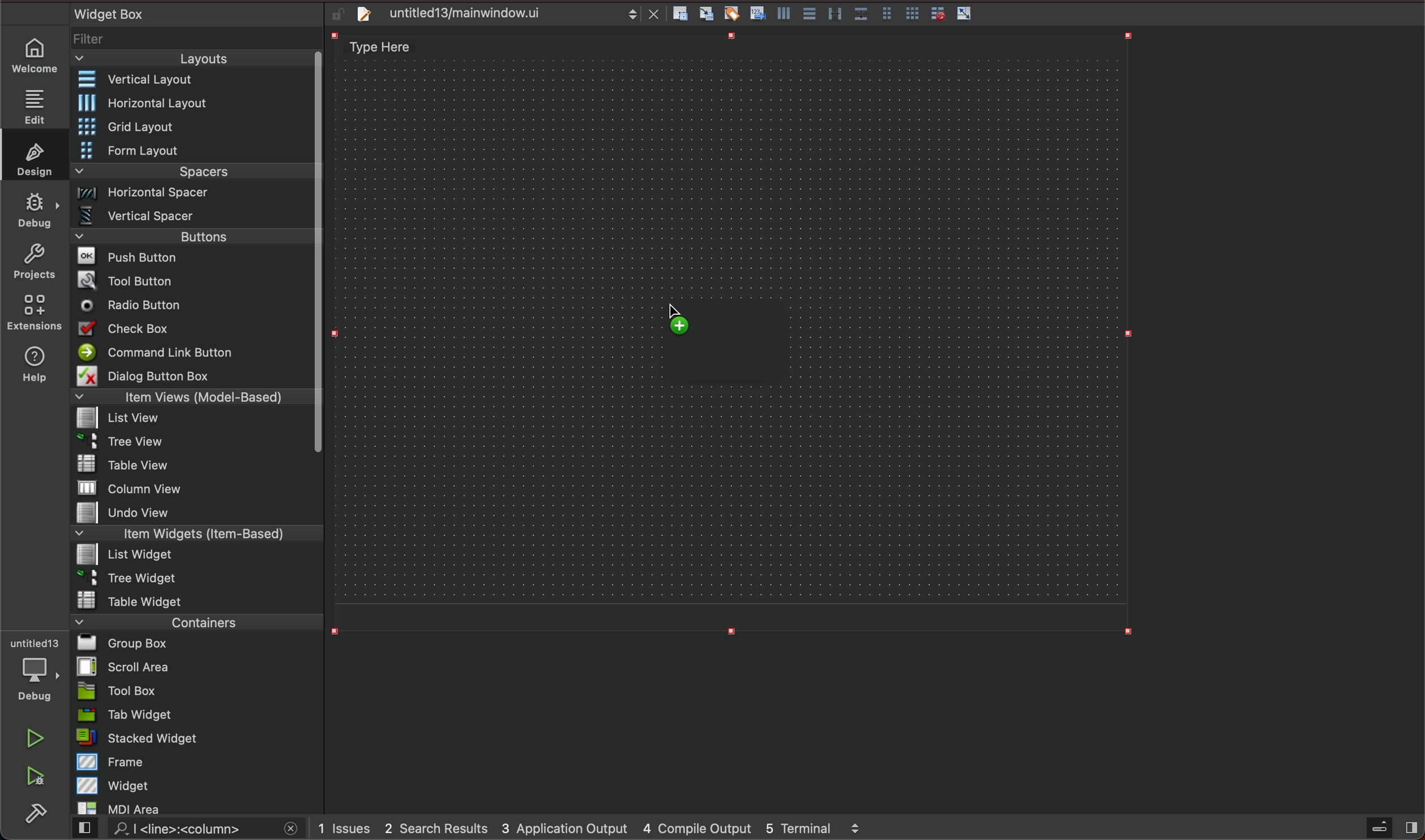  I want to click on edit, so click(37, 102).